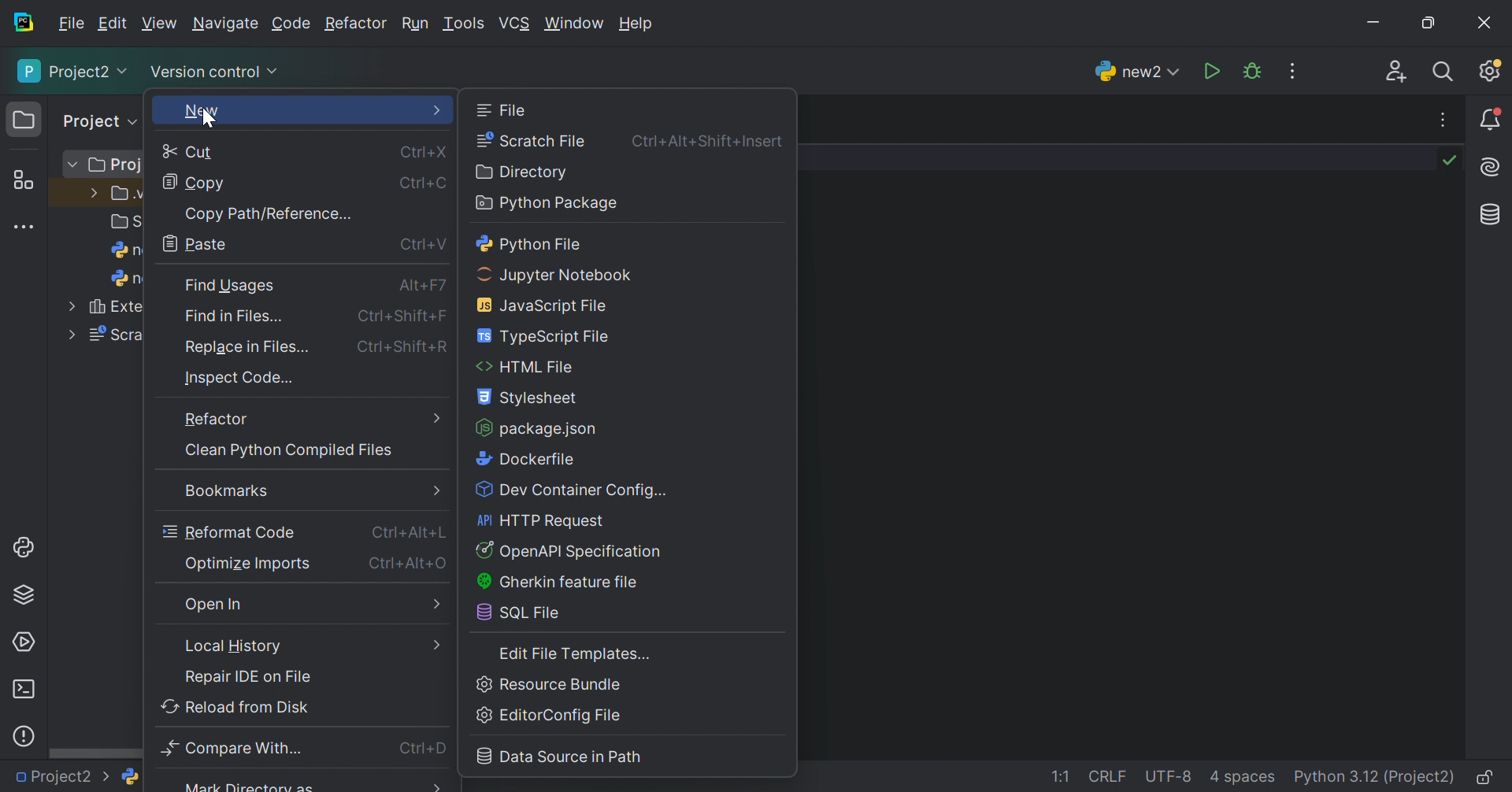  Describe the element at coordinates (225, 491) in the screenshot. I see `Bookmarks` at that location.